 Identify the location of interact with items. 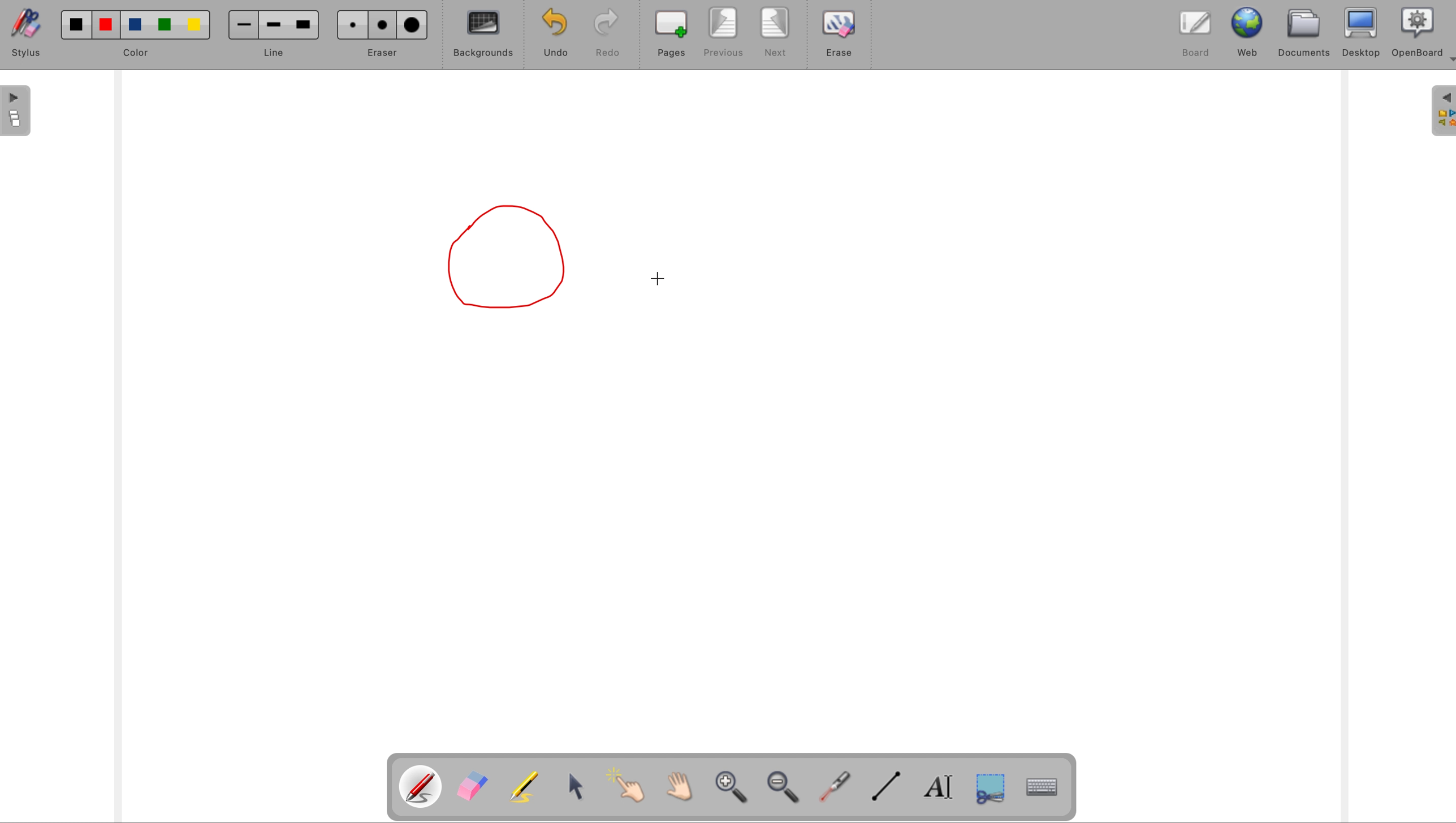
(627, 787).